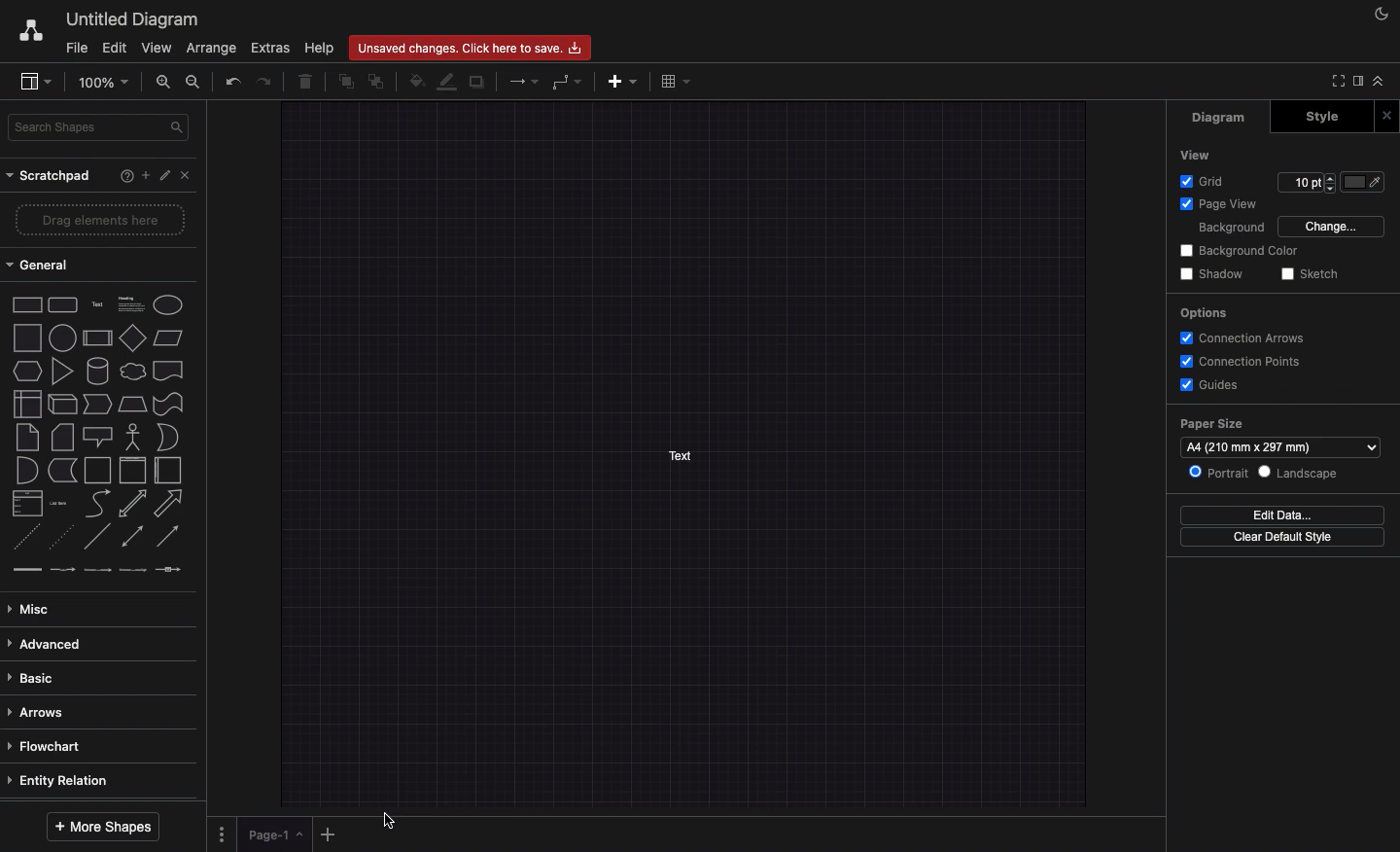  I want to click on Shadow, so click(1213, 274).